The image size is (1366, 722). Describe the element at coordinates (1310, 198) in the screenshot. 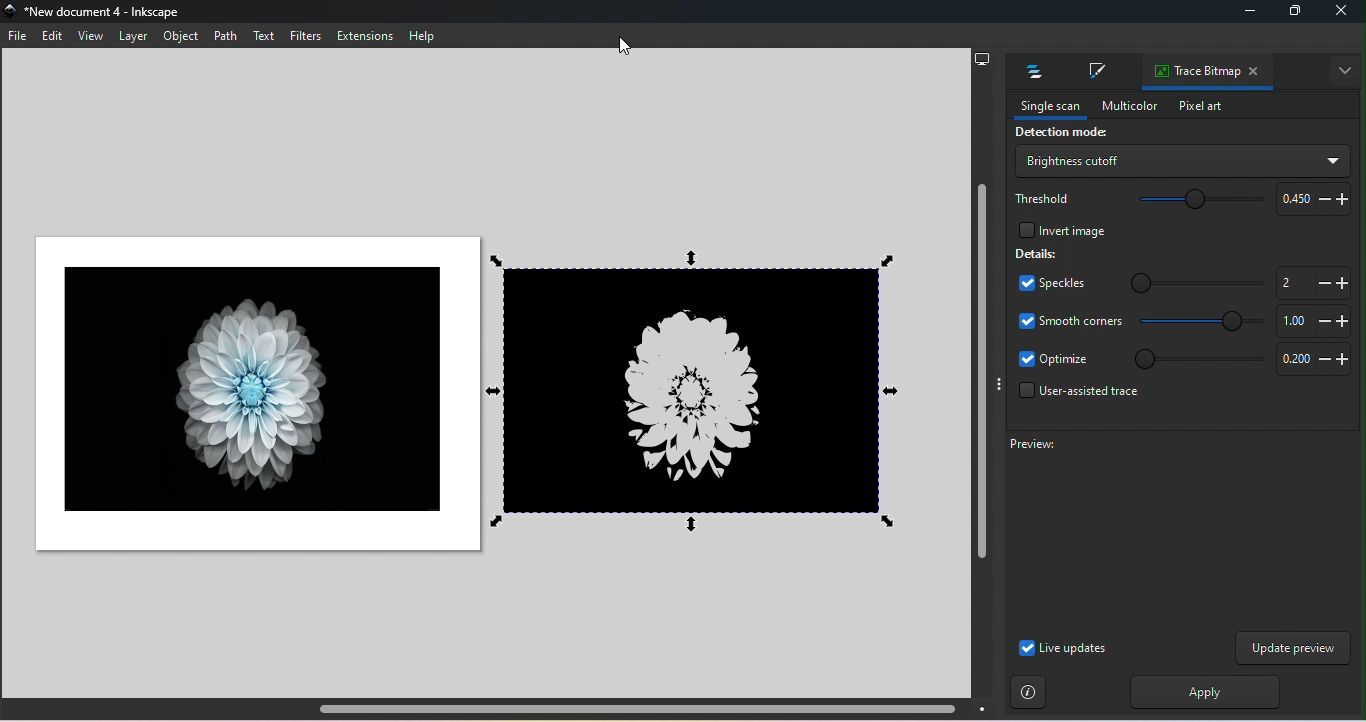

I see `Increase or decrease threshold` at that location.